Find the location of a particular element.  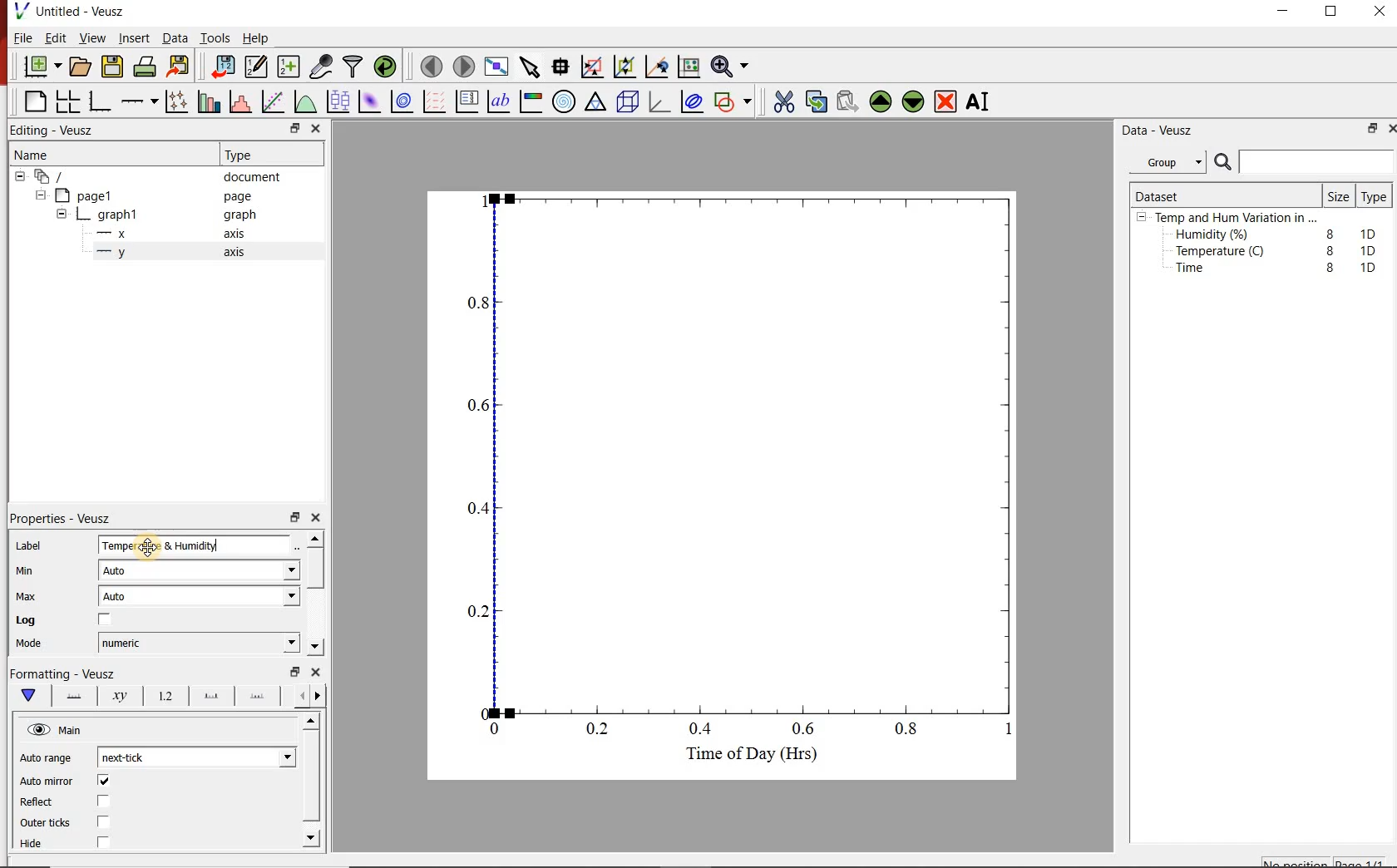

close is located at coordinates (317, 128).